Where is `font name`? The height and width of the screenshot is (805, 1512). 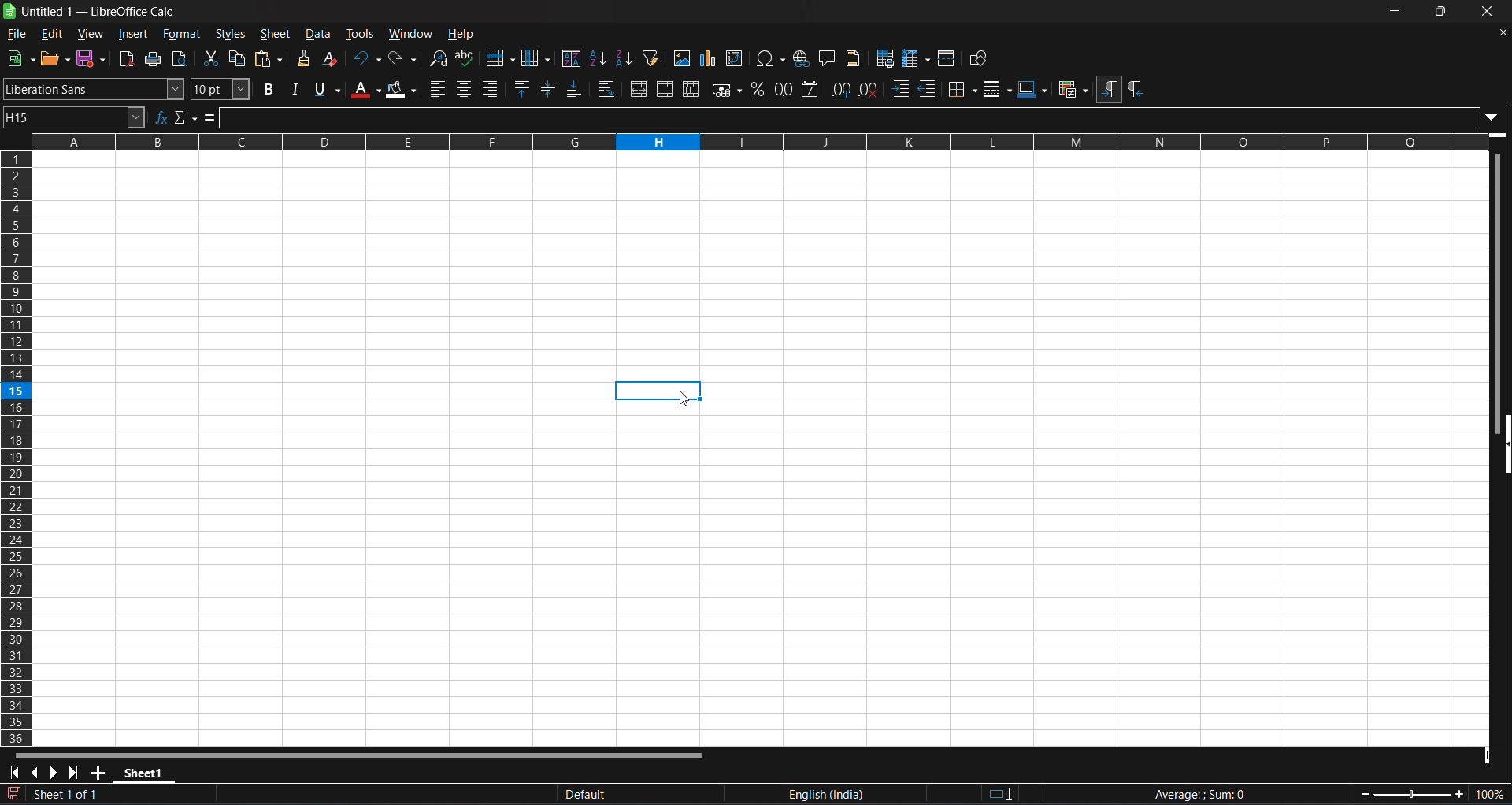
font name is located at coordinates (94, 89).